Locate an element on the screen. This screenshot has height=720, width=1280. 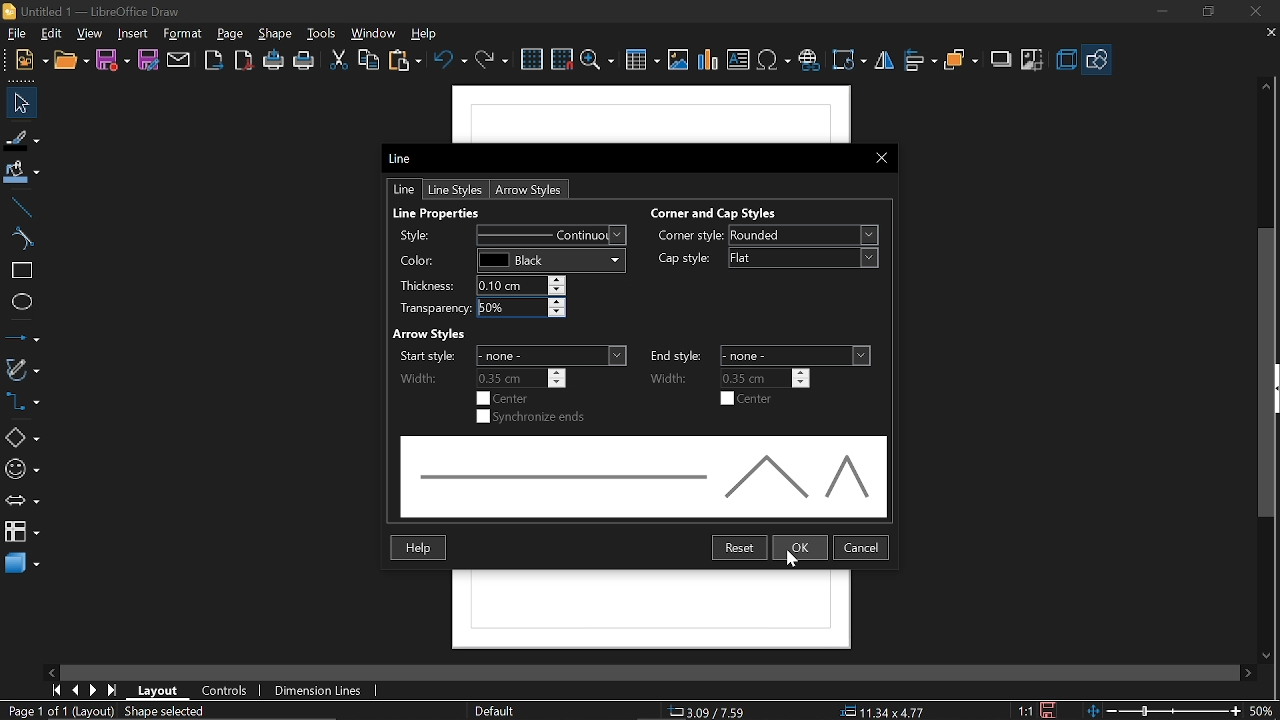
close tab is located at coordinates (1271, 34).